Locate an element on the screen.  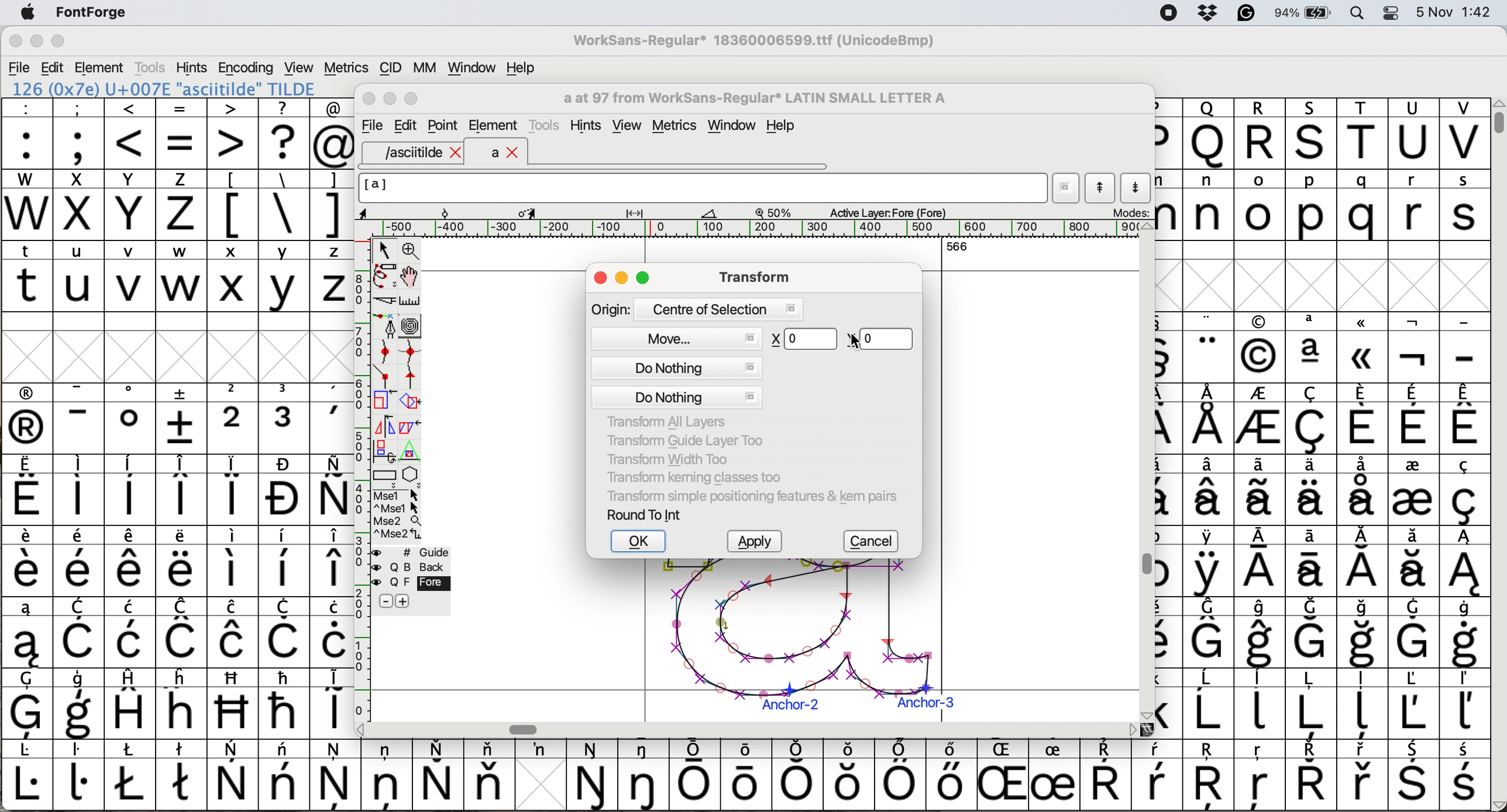
] is located at coordinates (331, 203).